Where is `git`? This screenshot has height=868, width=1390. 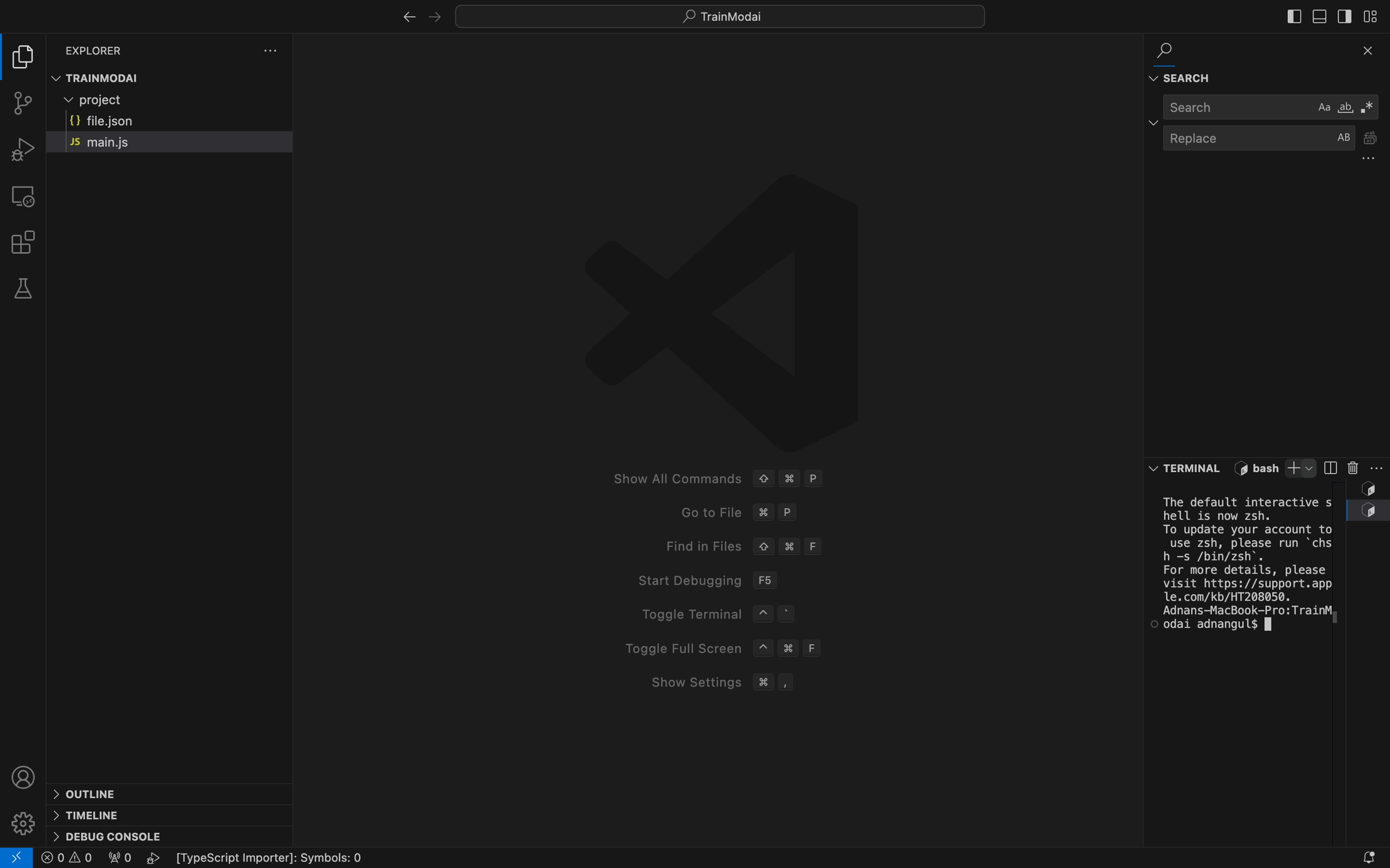 git is located at coordinates (25, 105).